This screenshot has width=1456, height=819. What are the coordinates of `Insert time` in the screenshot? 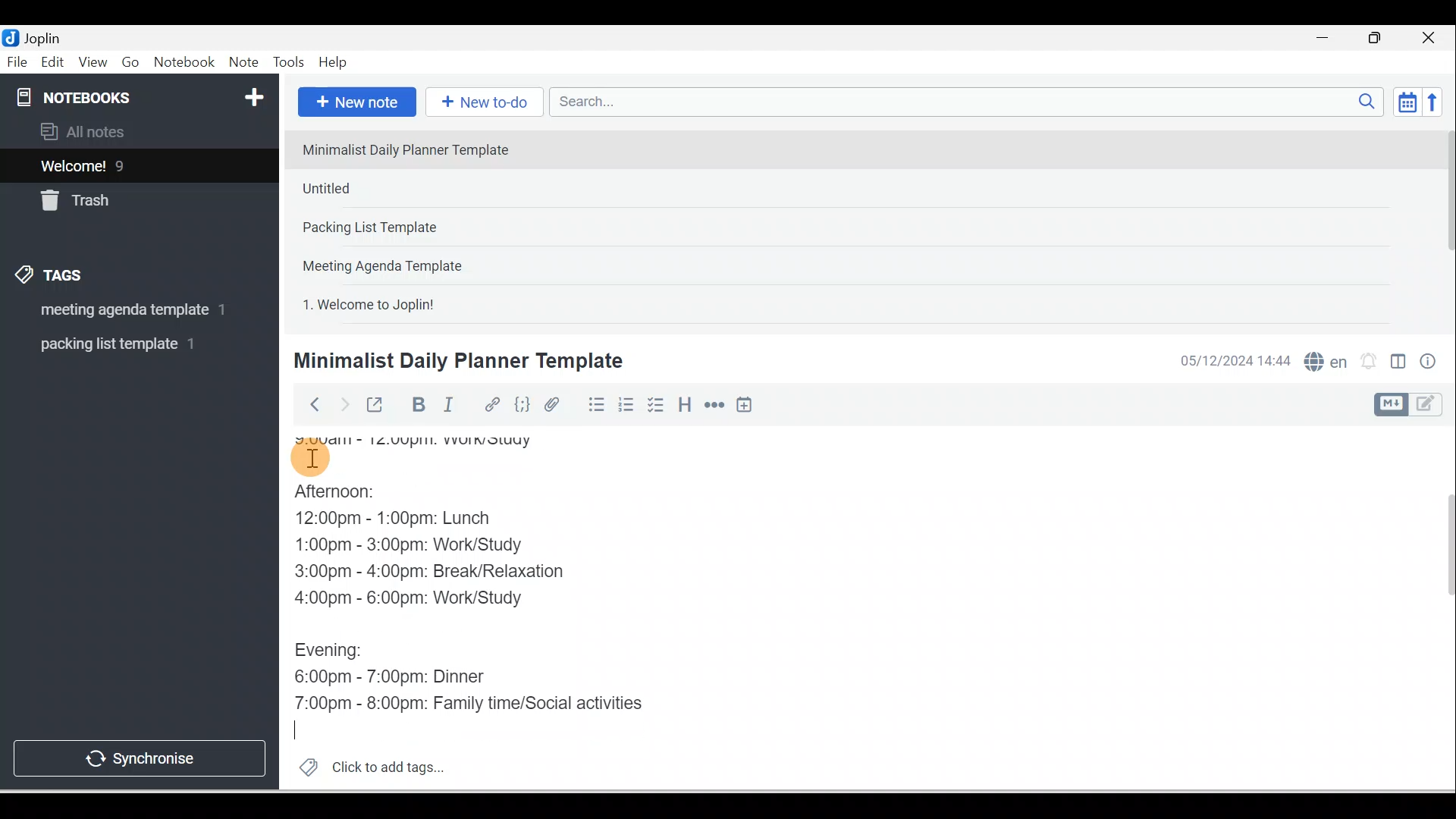 It's located at (744, 406).